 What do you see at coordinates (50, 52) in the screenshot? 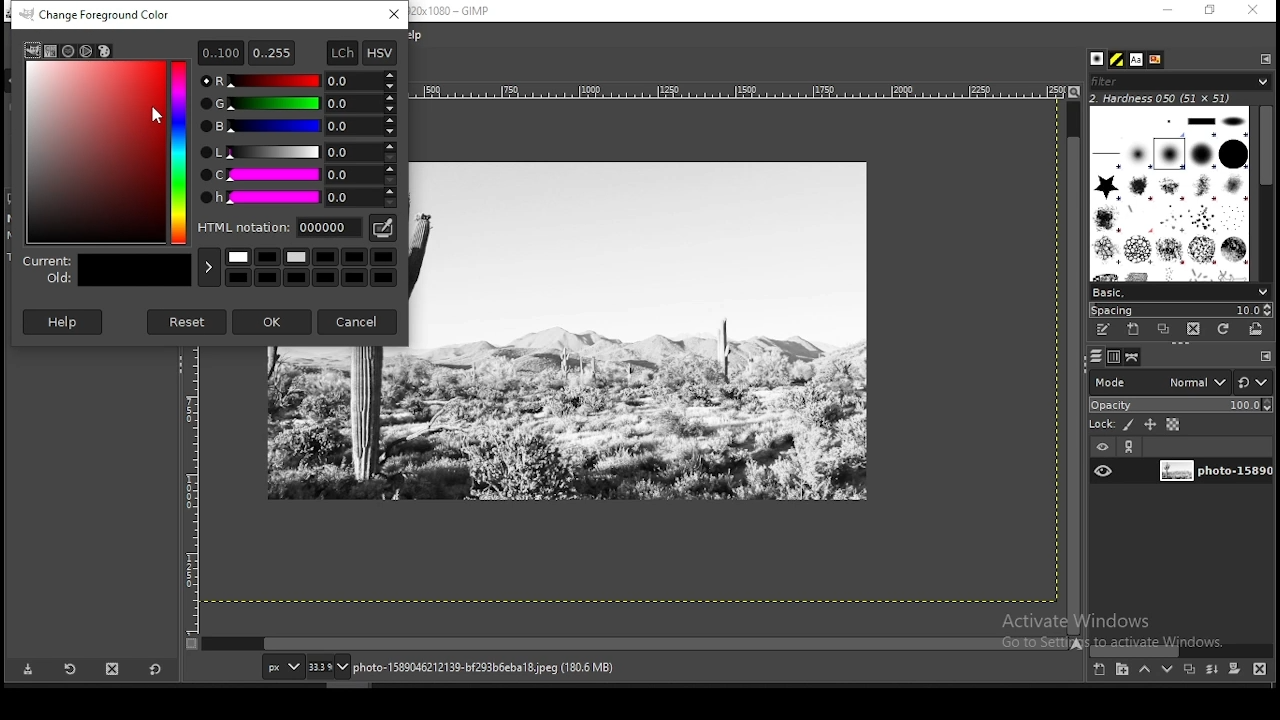
I see `wheel` at bounding box center [50, 52].